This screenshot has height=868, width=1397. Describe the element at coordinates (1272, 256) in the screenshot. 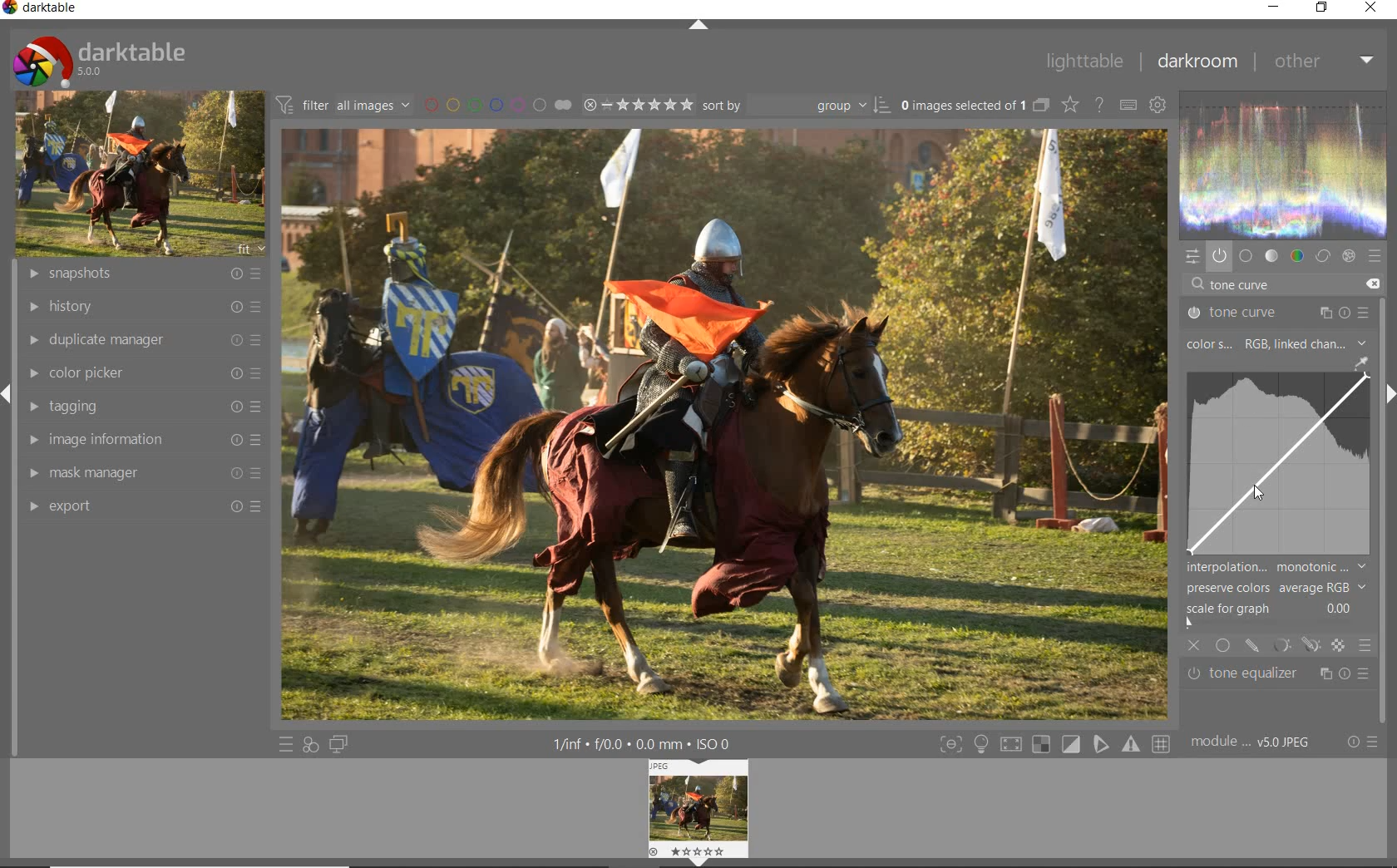

I see `tone` at that location.